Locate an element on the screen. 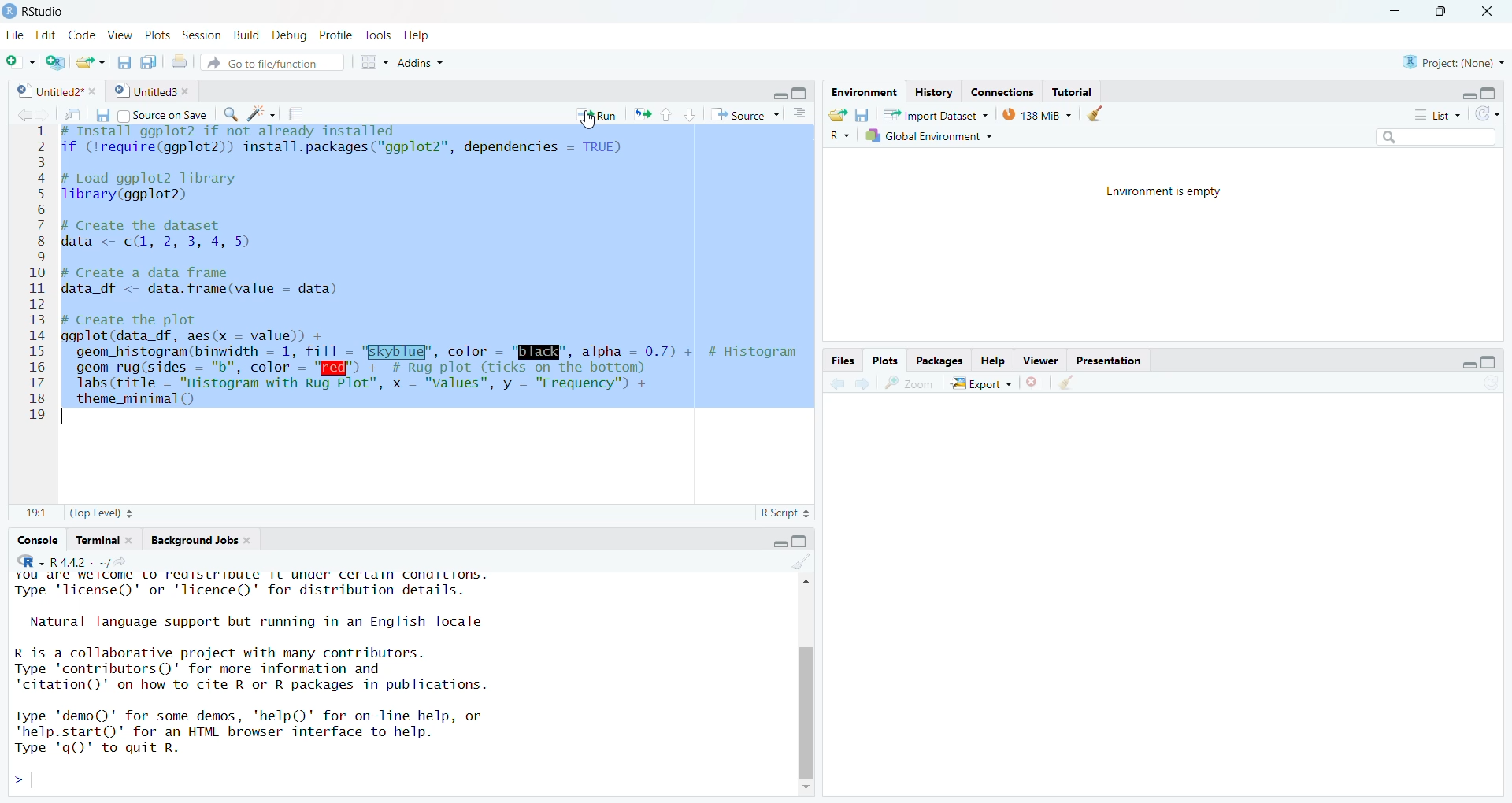 The height and width of the screenshot is (803, 1512). Go to file/function is located at coordinates (268, 61).